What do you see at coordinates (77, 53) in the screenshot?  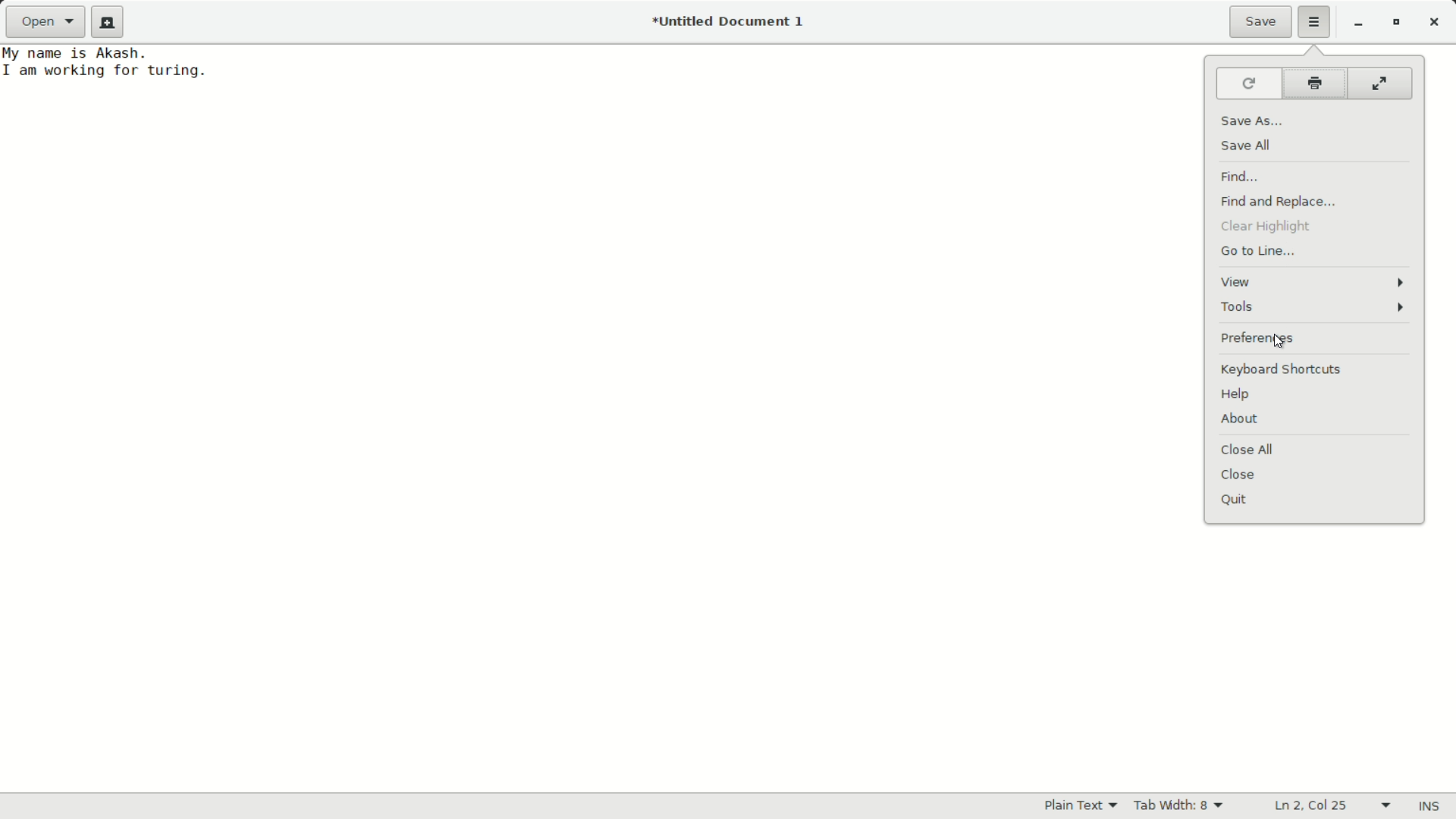 I see `My name is Akash.` at bounding box center [77, 53].